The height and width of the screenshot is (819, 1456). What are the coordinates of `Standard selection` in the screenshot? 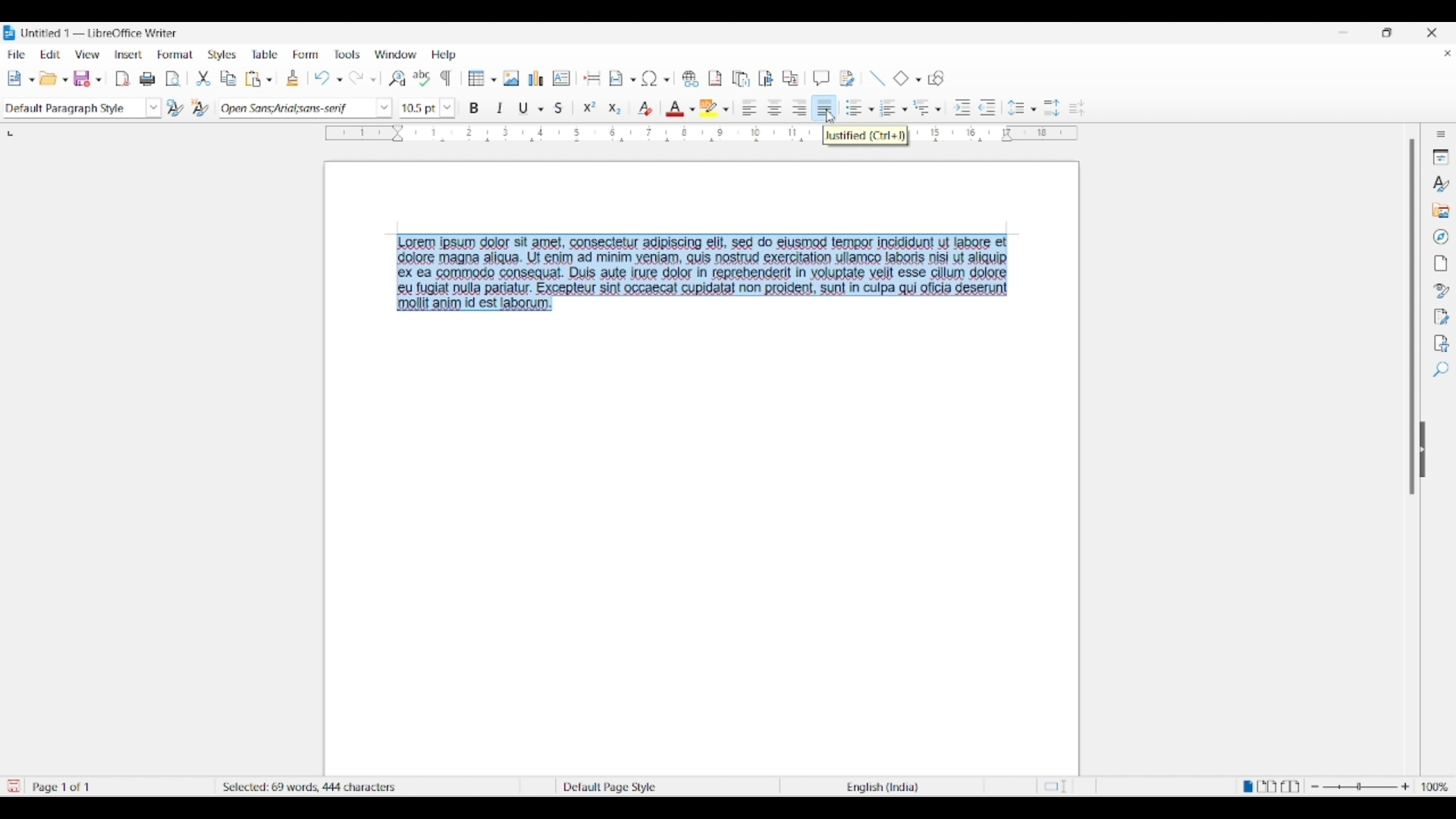 It's located at (1059, 787).